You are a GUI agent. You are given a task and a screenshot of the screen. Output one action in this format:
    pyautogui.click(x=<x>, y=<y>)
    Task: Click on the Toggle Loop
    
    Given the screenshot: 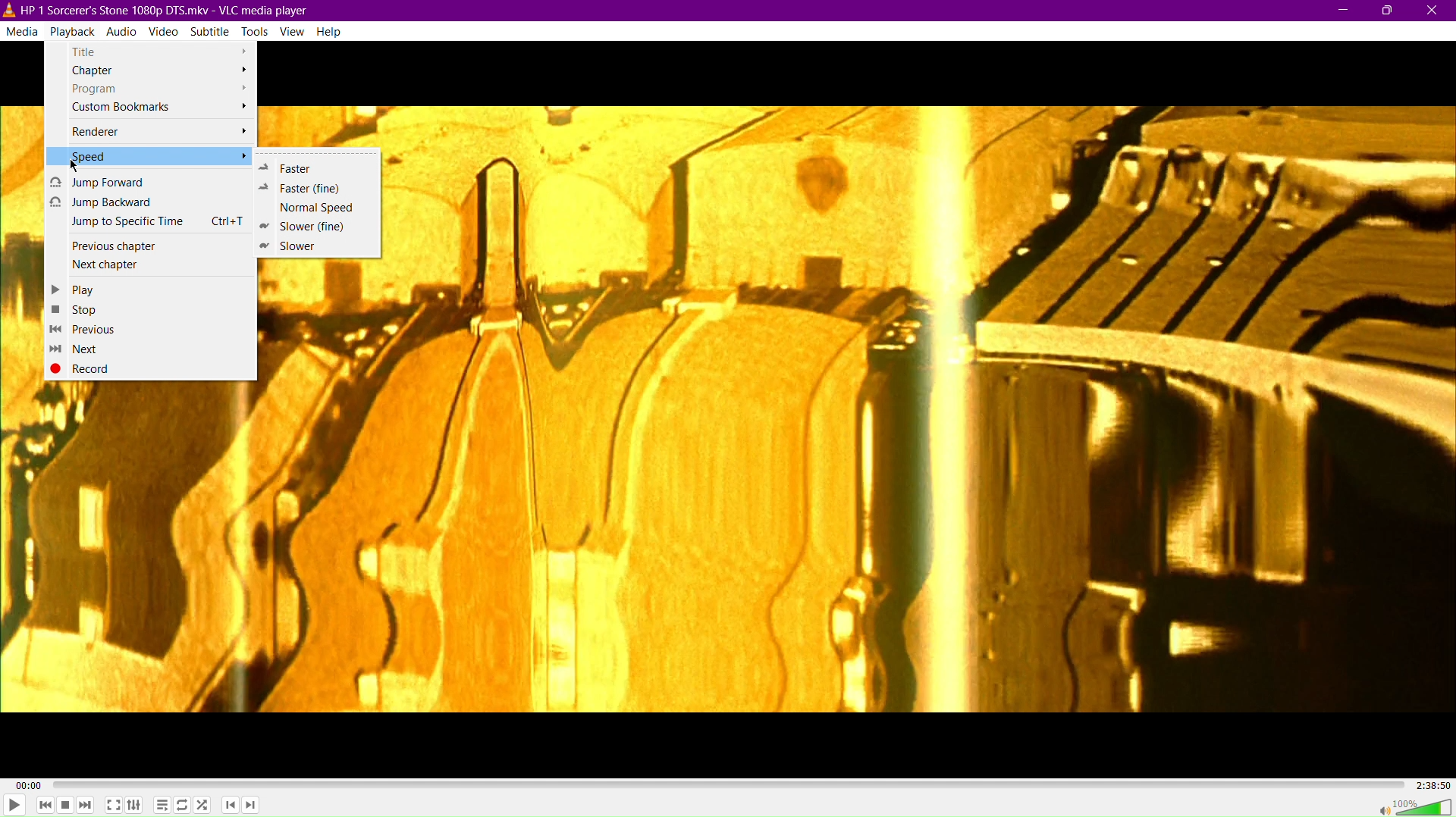 What is the action you would take?
    pyautogui.click(x=183, y=805)
    